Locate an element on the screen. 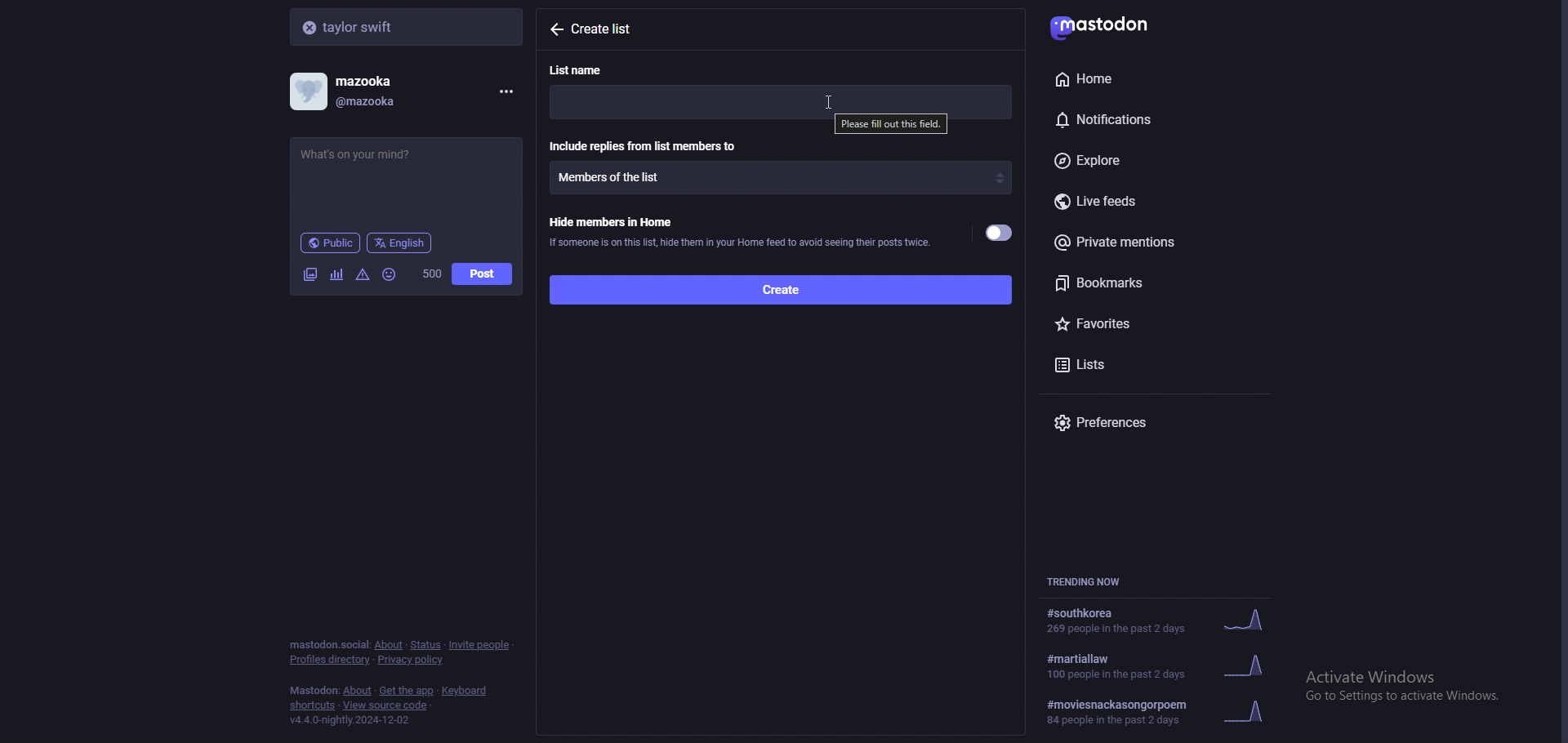 This screenshot has height=743, width=1568. trending now is located at coordinates (1093, 581).